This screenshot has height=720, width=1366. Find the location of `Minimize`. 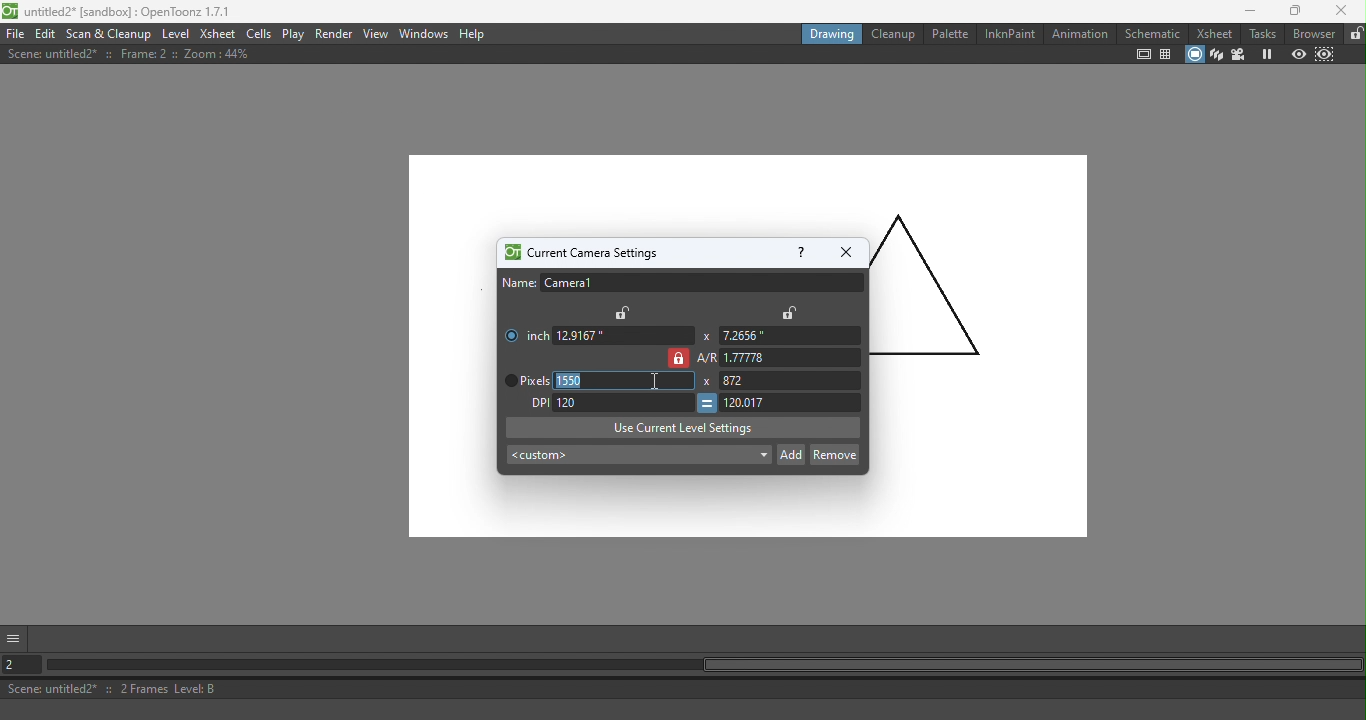

Minimize is located at coordinates (1243, 11).